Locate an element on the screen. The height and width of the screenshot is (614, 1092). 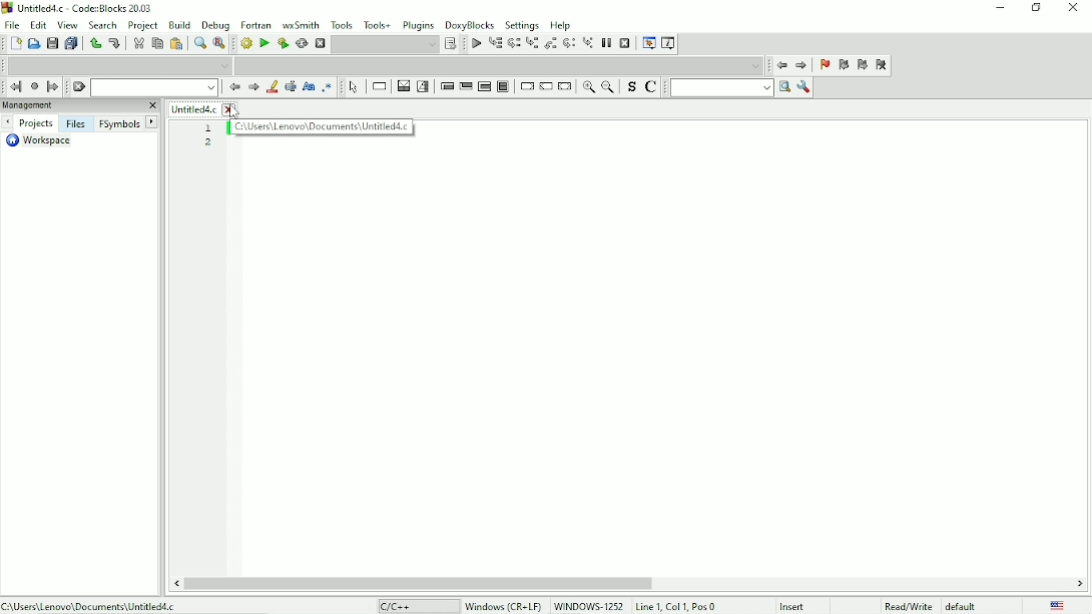
Step out is located at coordinates (549, 45).